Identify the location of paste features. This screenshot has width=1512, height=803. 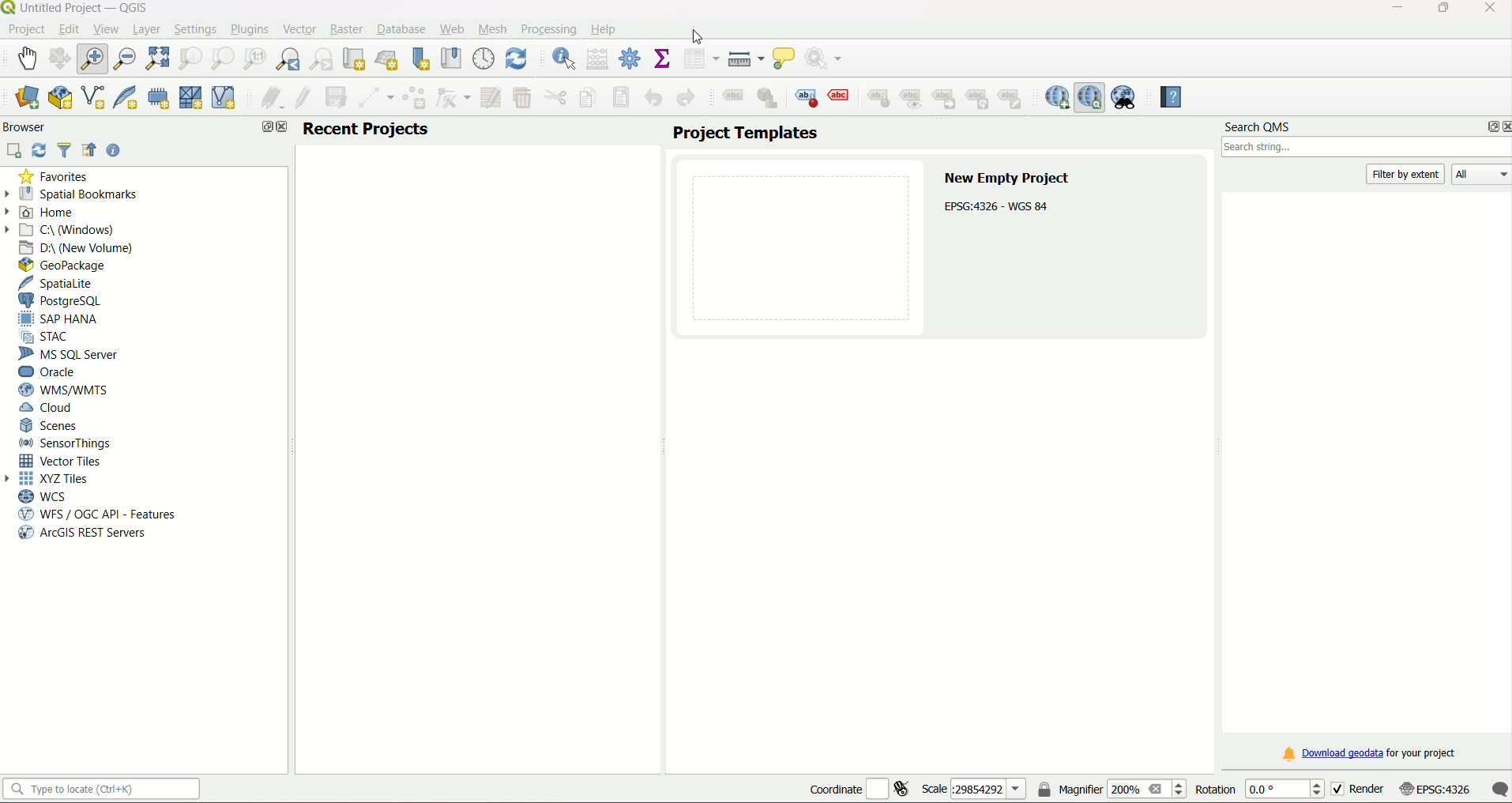
(620, 97).